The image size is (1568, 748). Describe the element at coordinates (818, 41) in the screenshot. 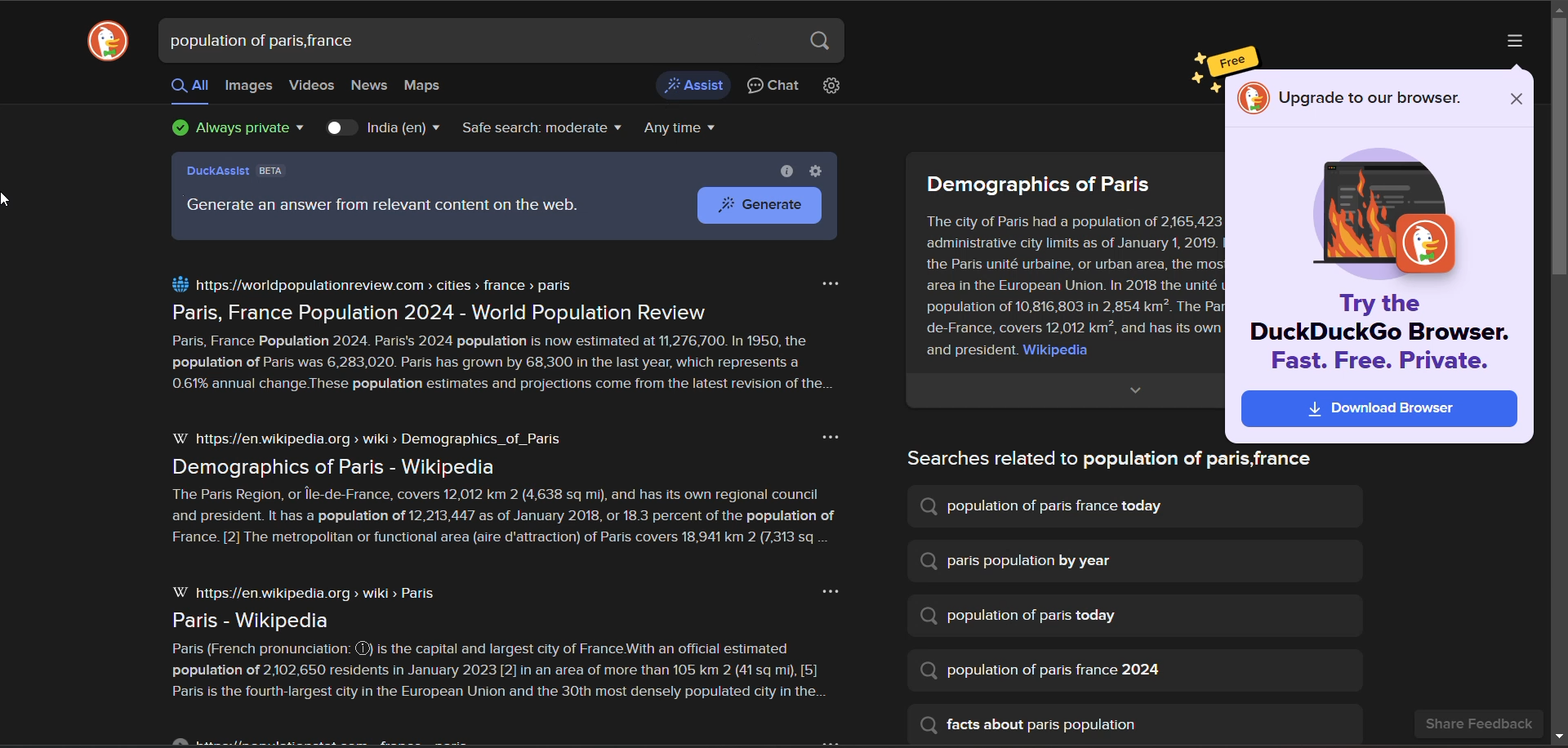

I see `search button` at that location.